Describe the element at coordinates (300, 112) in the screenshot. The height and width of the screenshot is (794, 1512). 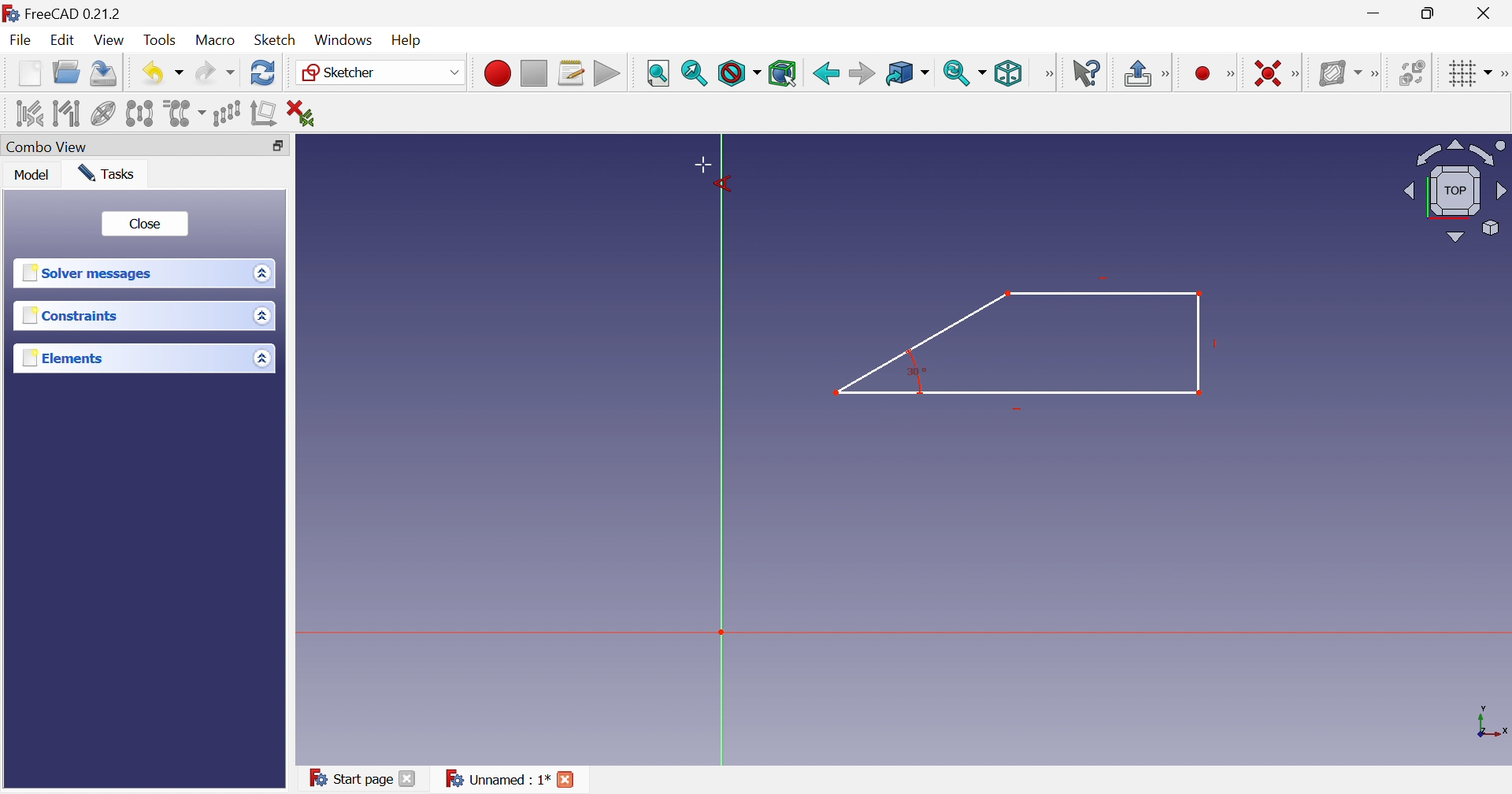
I see `Delete all constraints` at that location.